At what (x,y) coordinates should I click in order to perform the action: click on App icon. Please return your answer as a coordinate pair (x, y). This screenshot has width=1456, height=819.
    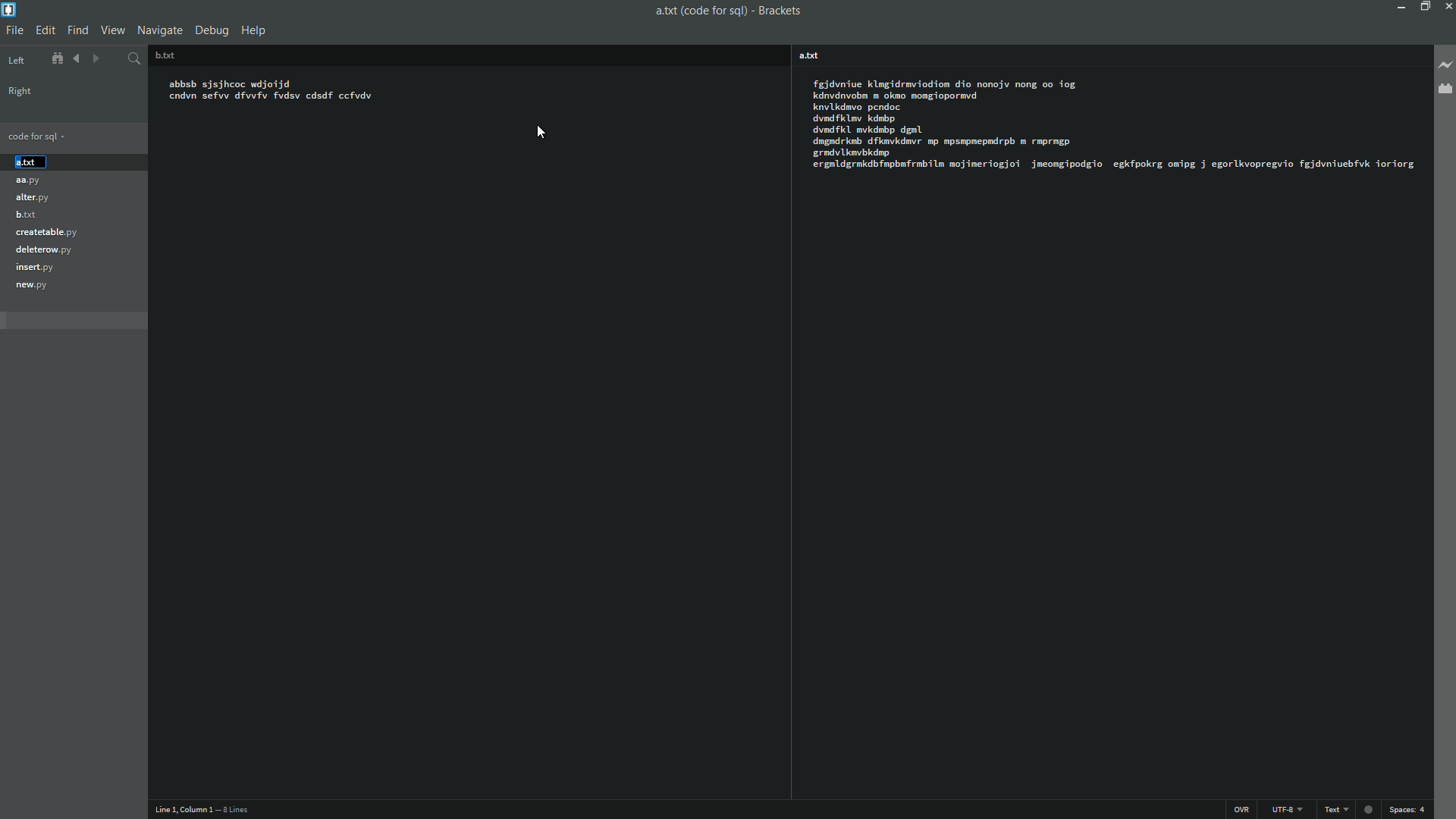
    Looking at the image, I should click on (9, 8).